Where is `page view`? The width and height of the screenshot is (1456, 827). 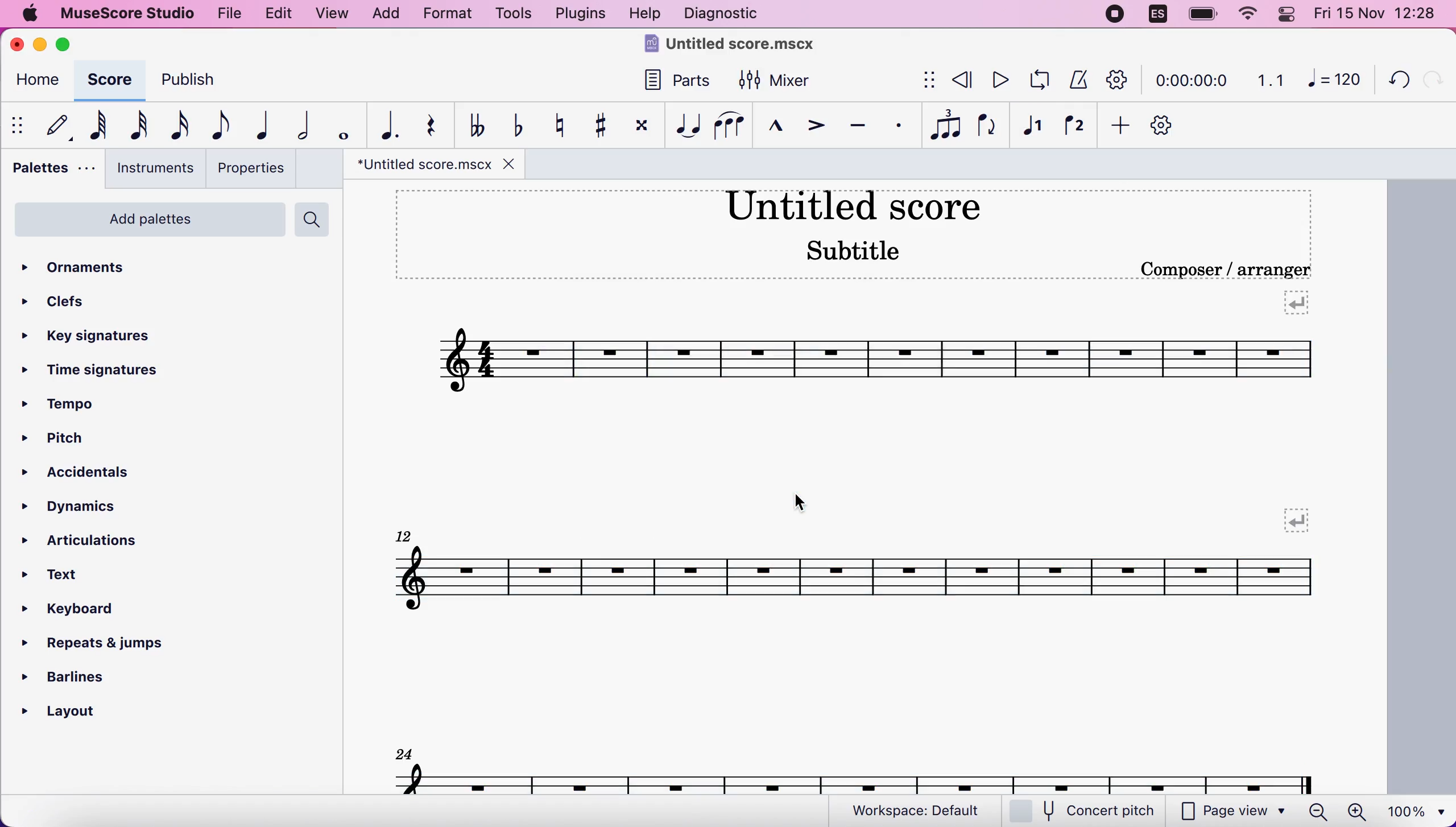
page view is located at coordinates (1233, 812).